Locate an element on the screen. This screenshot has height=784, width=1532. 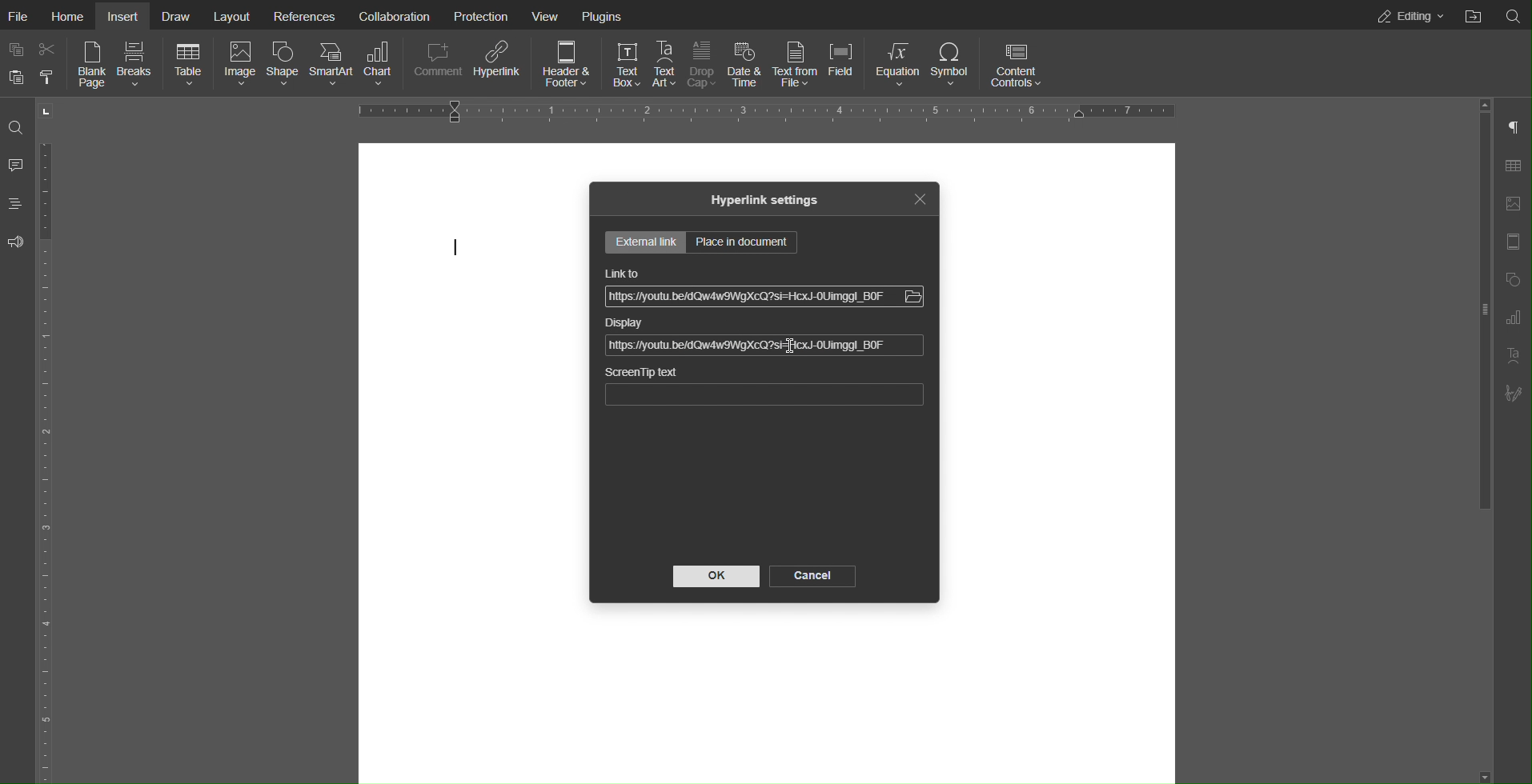
Protection is located at coordinates (478, 14).